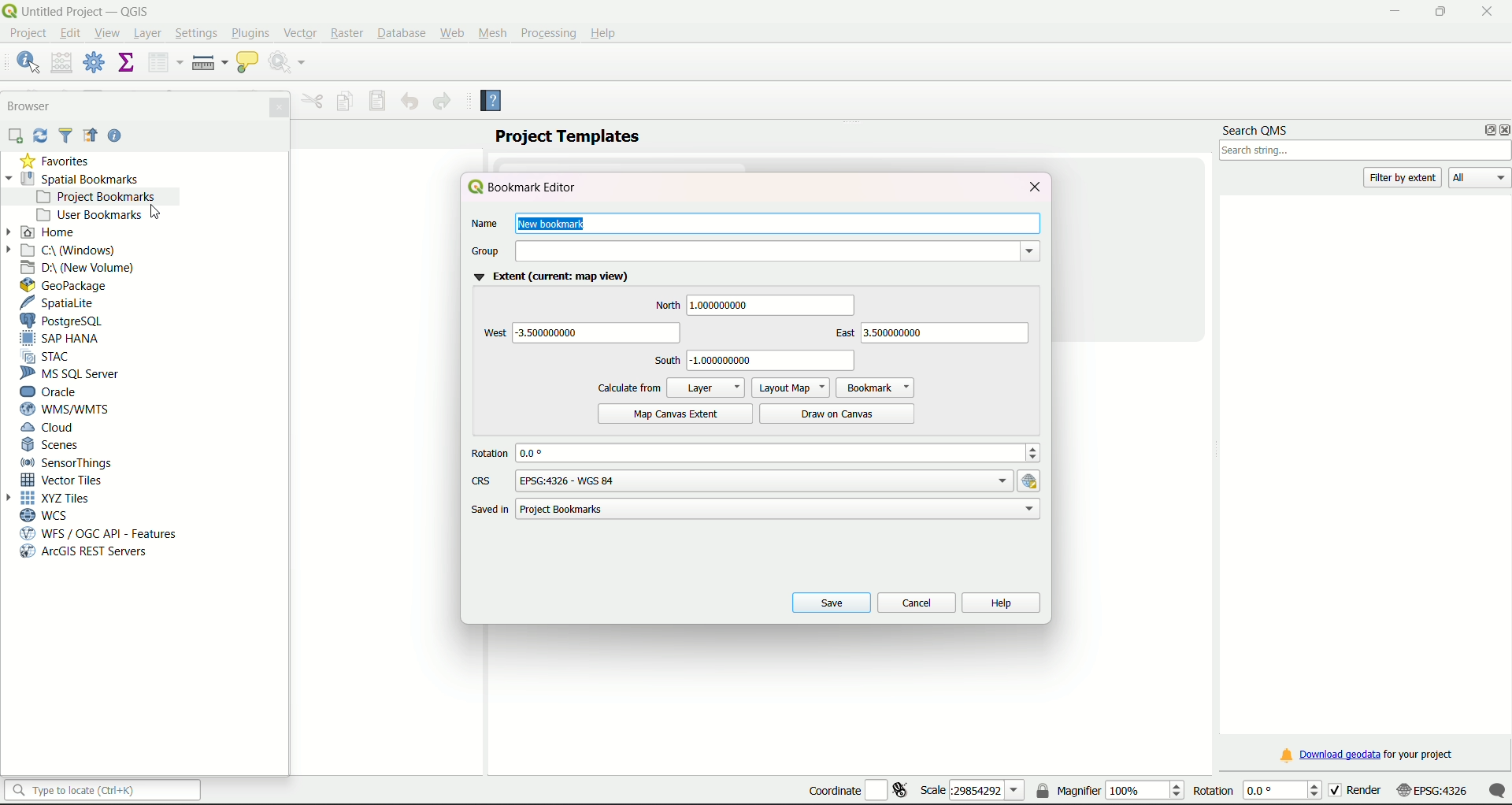  What do you see at coordinates (148, 35) in the screenshot?
I see `Layer` at bounding box center [148, 35].